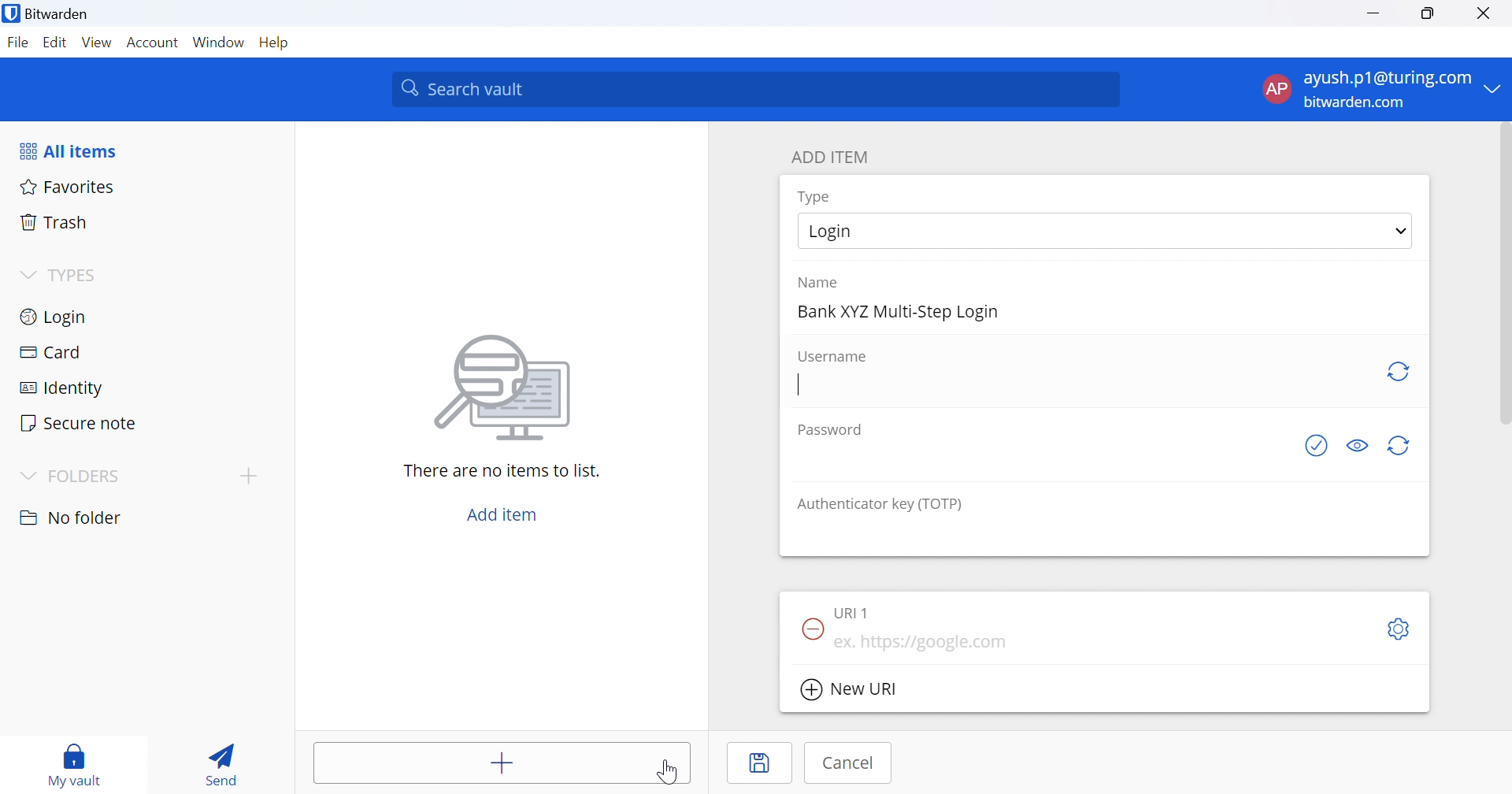 The height and width of the screenshot is (794, 1512). What do you see at coordinates (815, 197) in the screenshot?
I see `Type` at bounding box center [815, 197].